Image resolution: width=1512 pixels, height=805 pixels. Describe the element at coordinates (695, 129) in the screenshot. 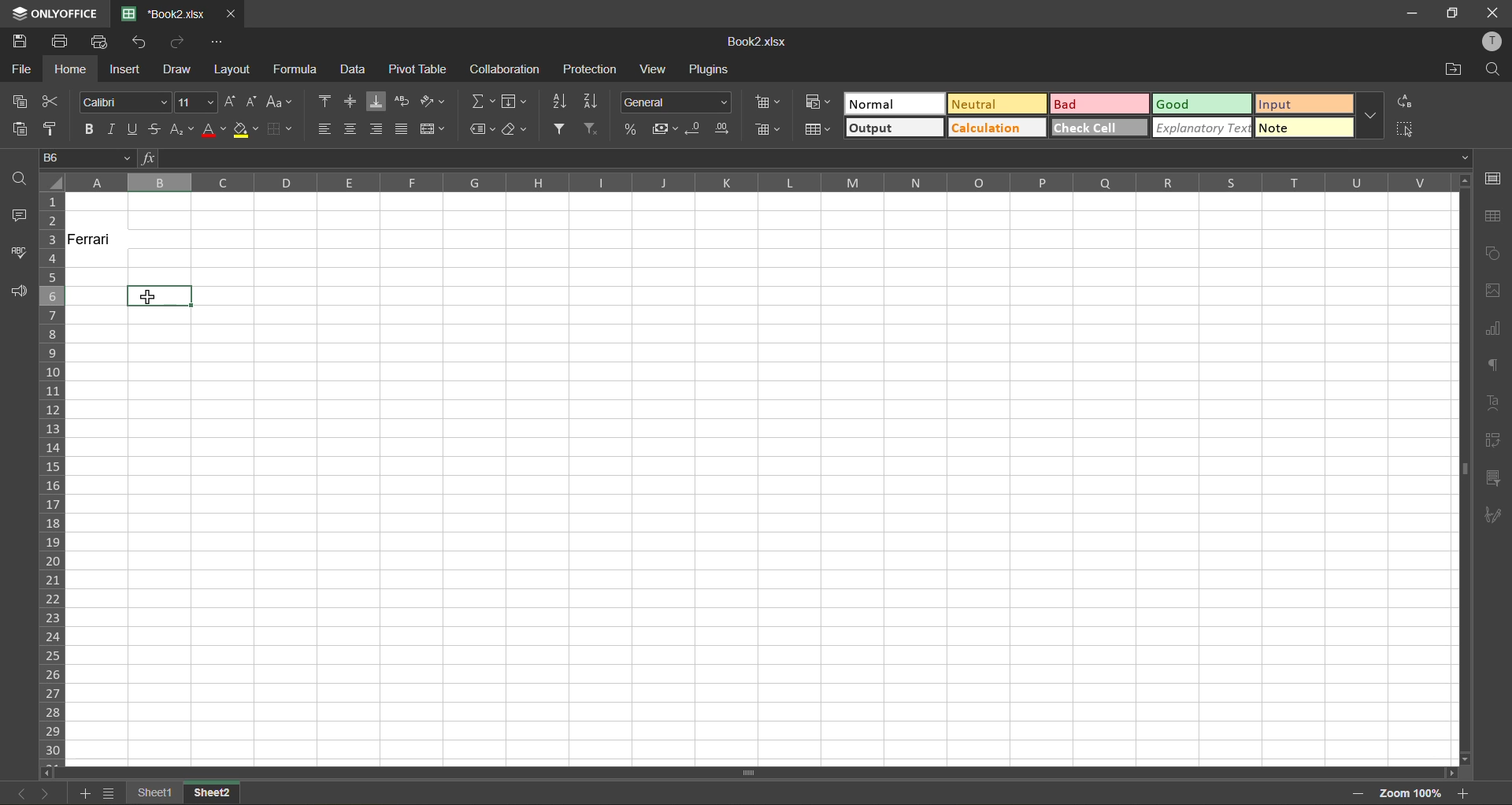

I see `decrease decimal` at that location.